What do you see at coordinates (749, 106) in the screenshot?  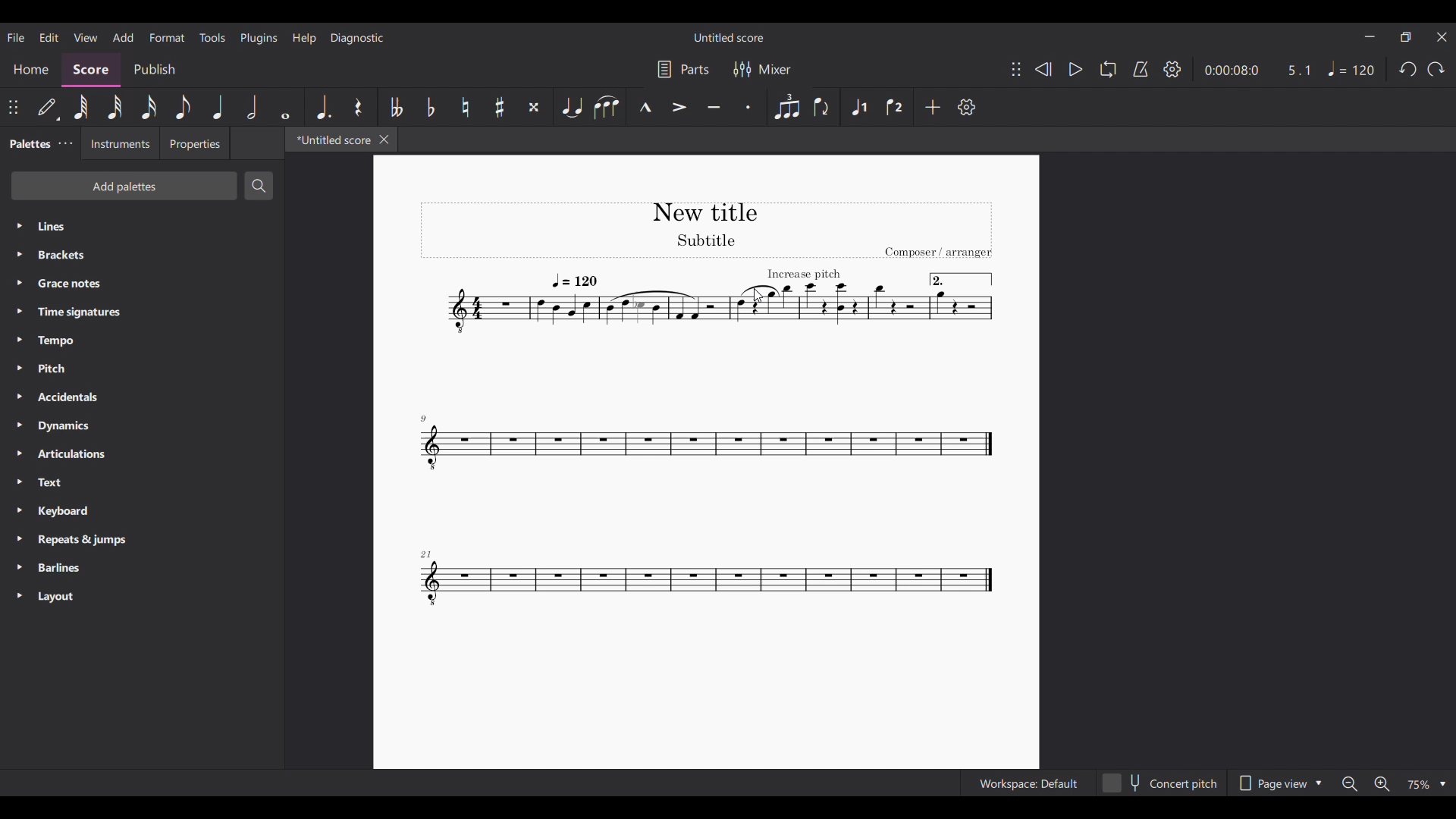 I see `Staccato` at bounding box center [749, 106].